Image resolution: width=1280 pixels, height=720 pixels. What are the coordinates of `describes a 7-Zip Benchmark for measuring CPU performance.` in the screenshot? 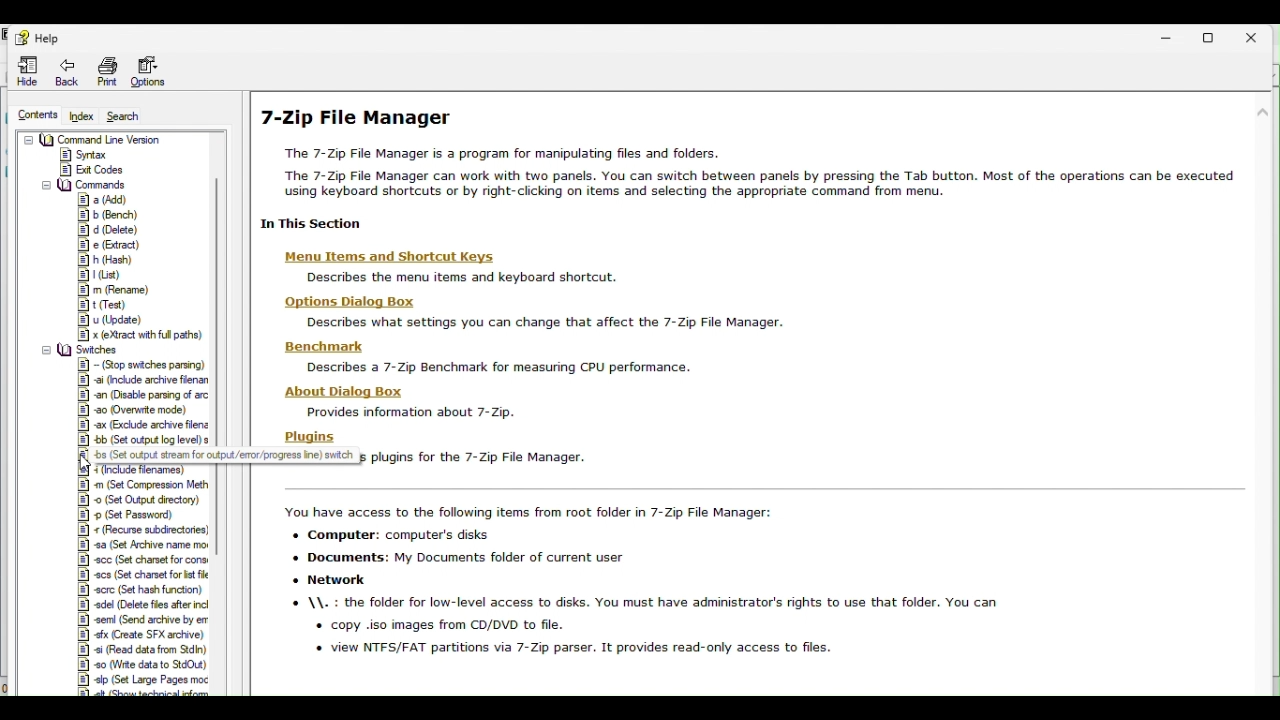 It's located at (501, 367).